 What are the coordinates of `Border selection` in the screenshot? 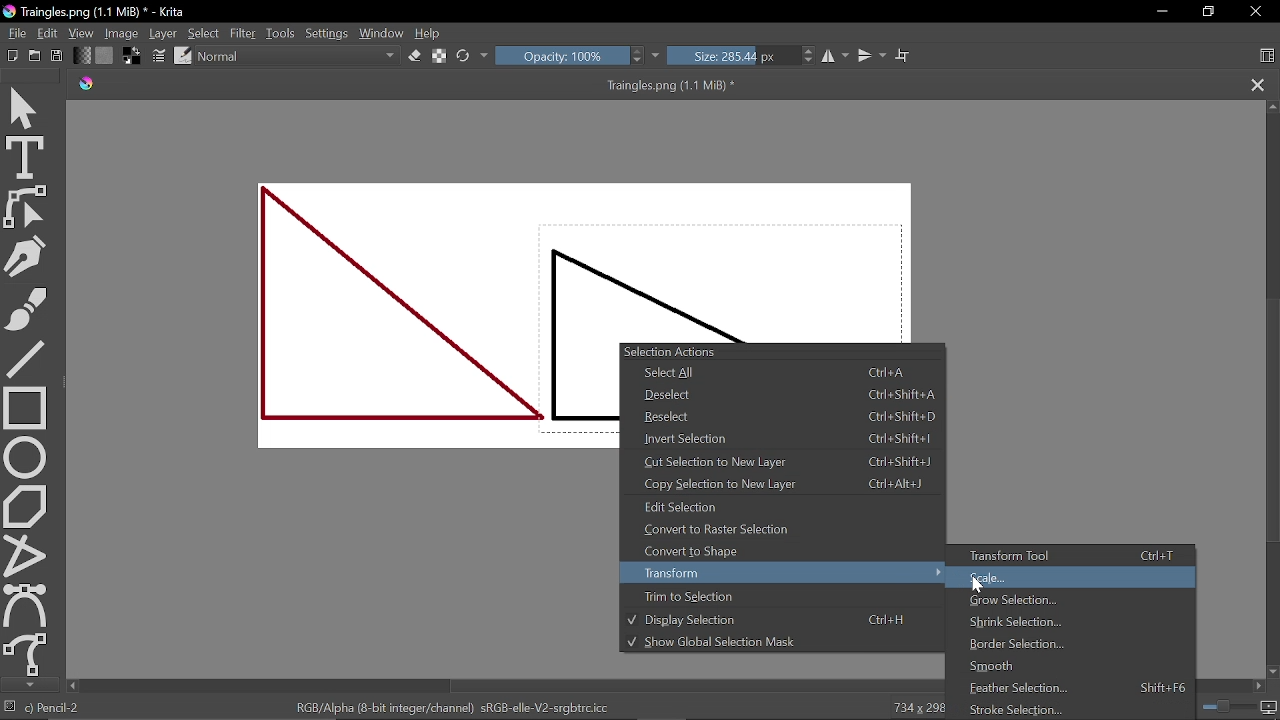 It's located at (1069, 646).